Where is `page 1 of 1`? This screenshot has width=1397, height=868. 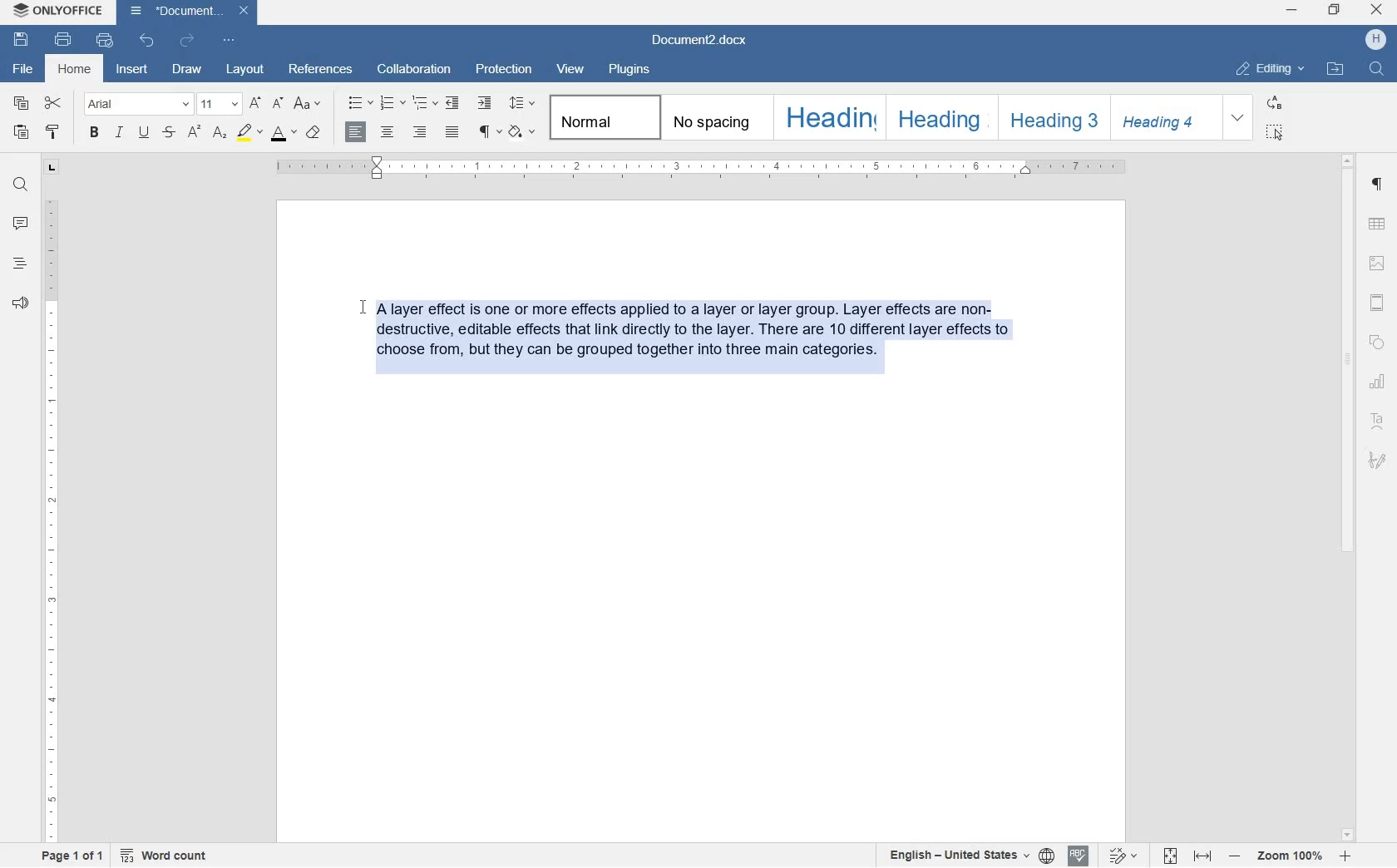 page 1 of 1 is located at coordinates (74, 856).